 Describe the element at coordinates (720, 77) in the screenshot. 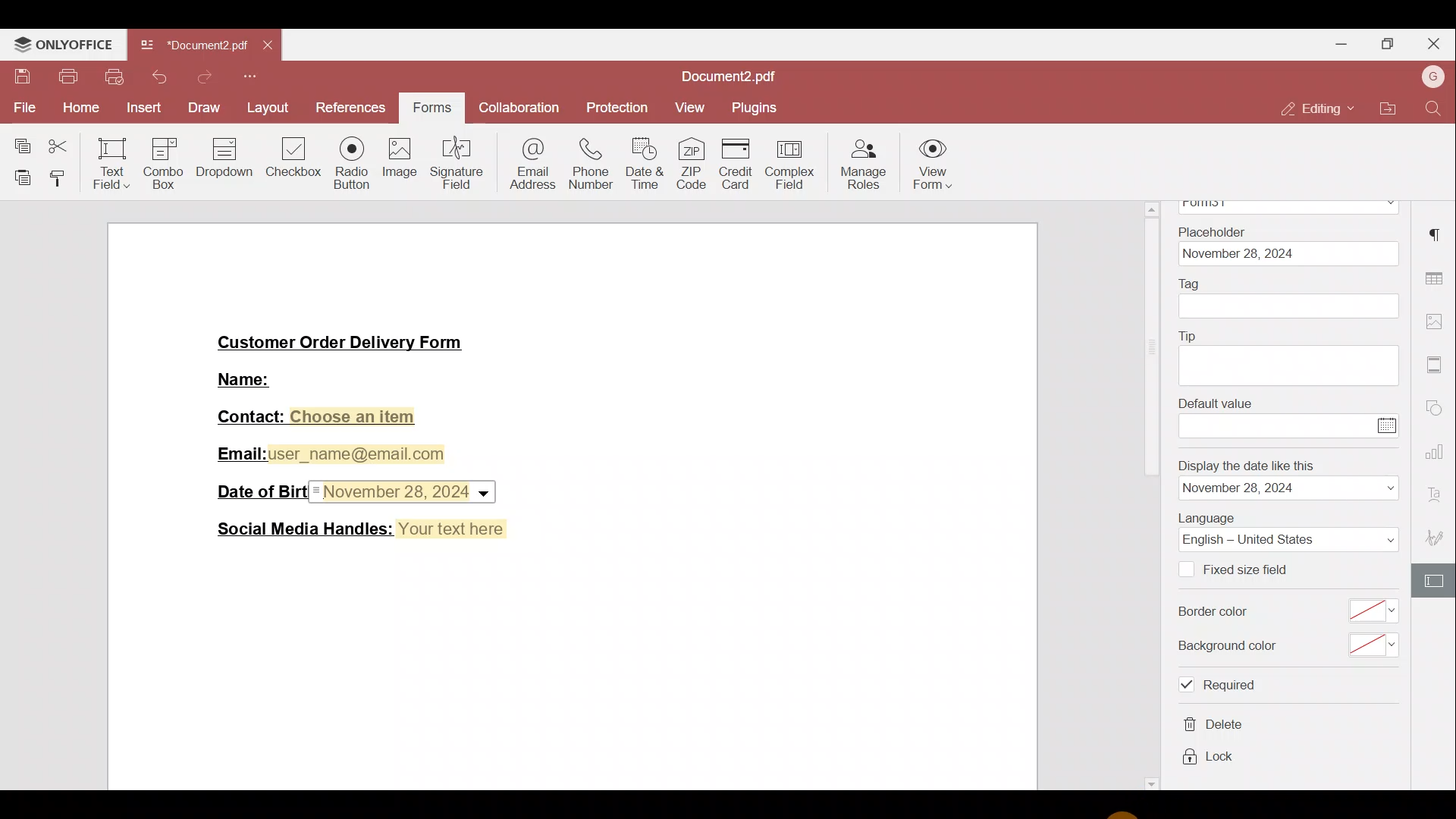

I see `Document2.pdf` at that location.